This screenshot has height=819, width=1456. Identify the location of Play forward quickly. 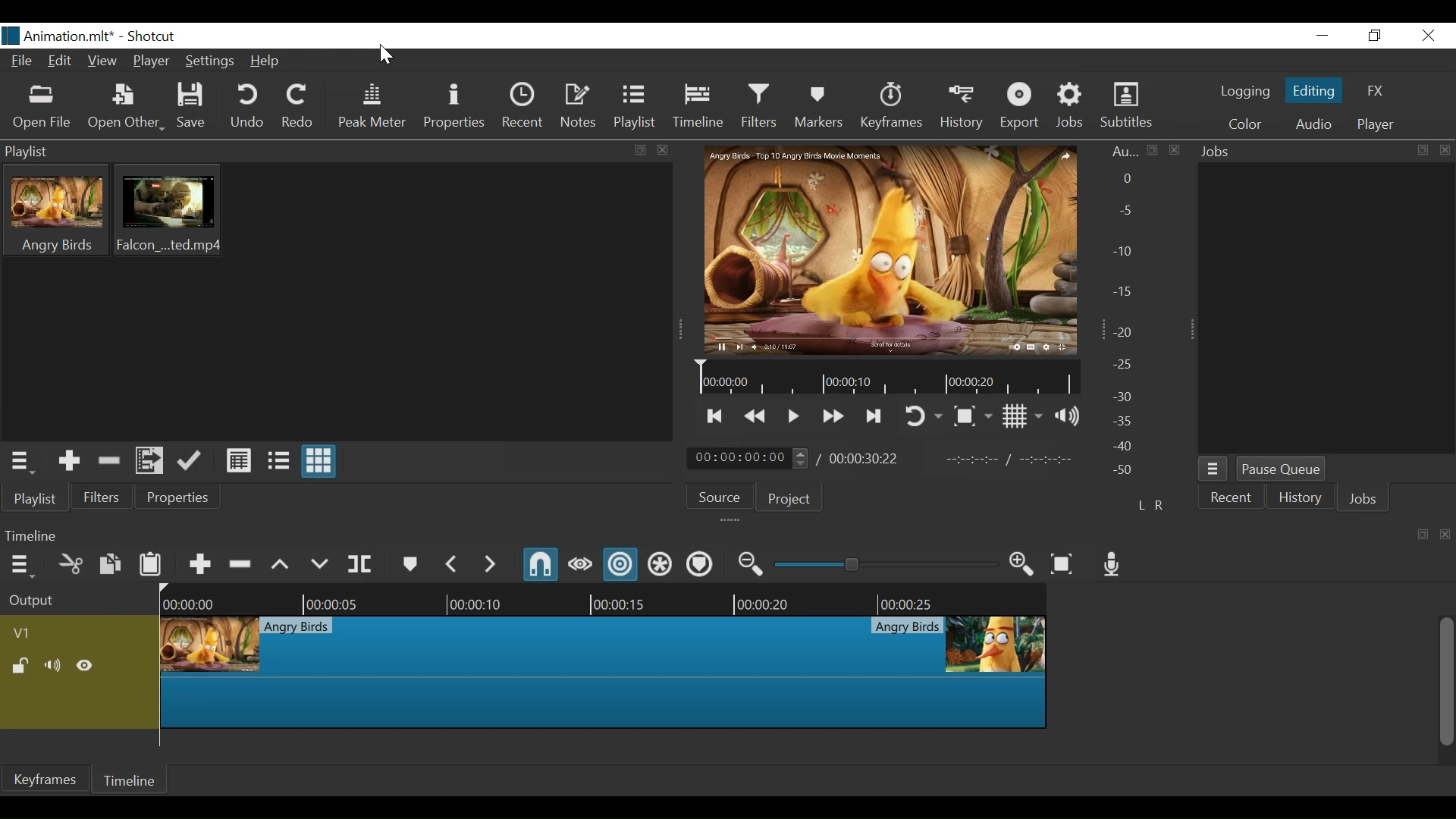
(833, 417).